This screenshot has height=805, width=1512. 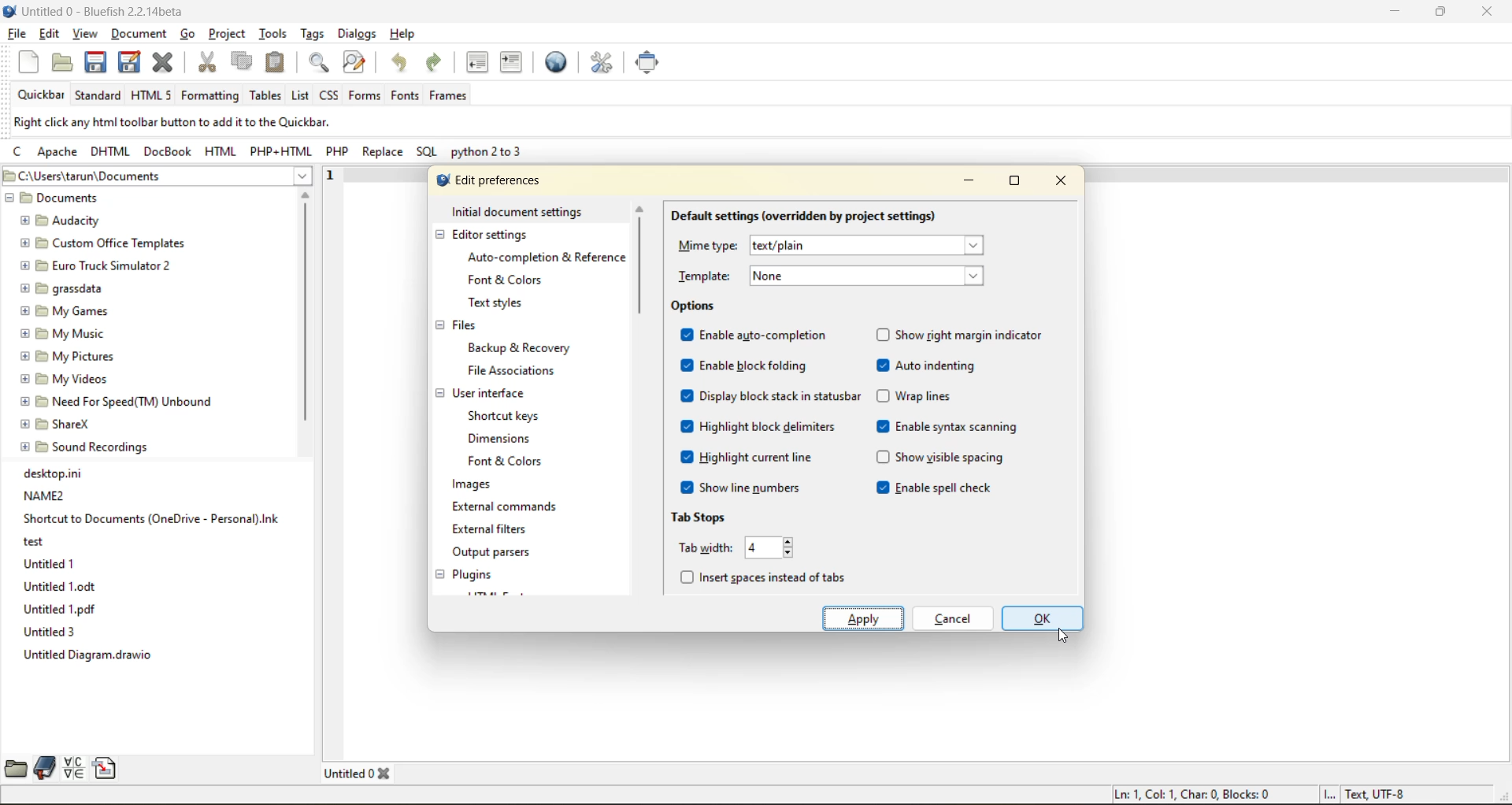 What do you see at coordinates (515, 372) in the screenshot?
I see `file associations` at bounding box center [515, 372].